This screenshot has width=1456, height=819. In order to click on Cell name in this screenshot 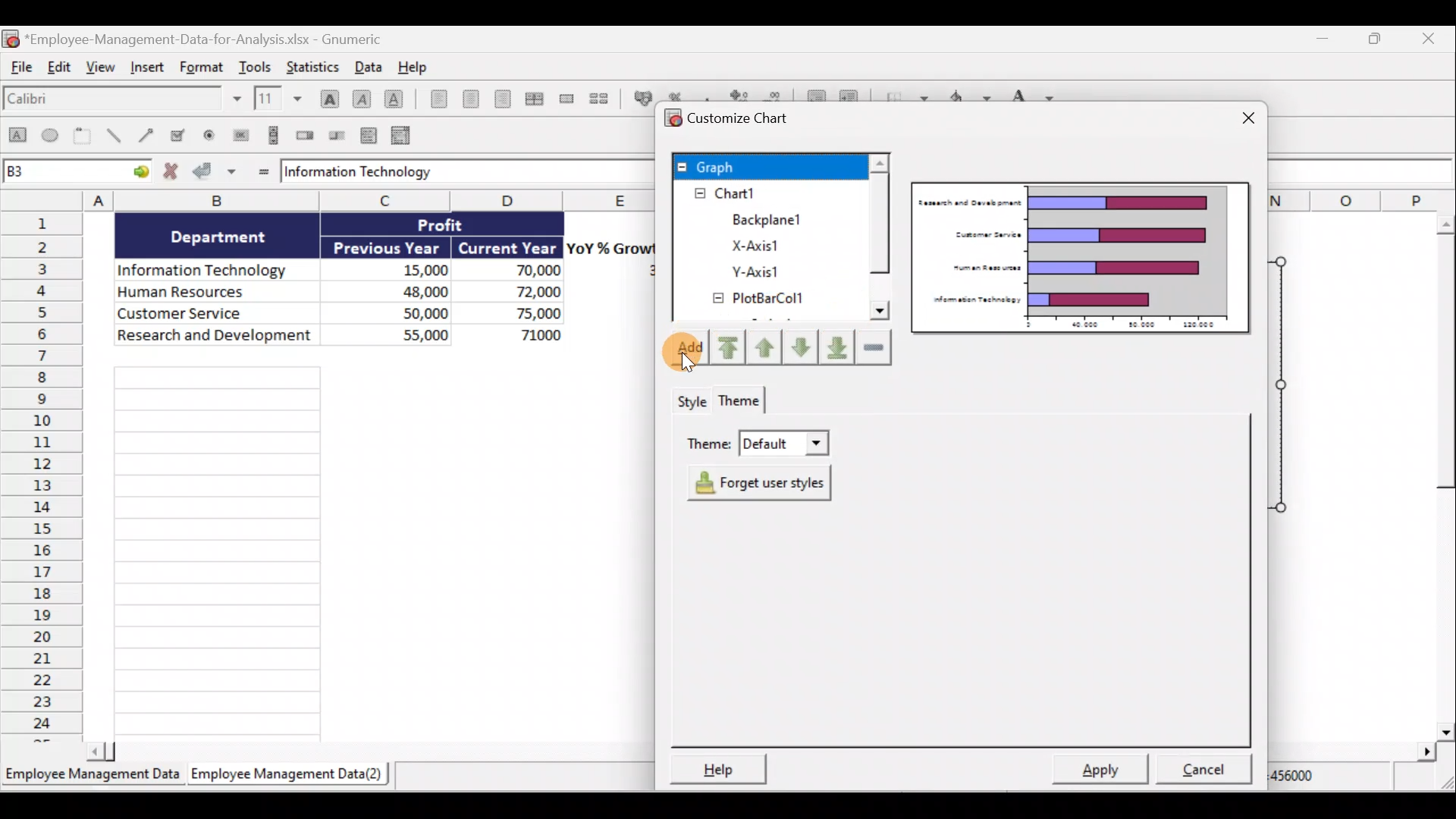, I will do `click(77, 168)`.